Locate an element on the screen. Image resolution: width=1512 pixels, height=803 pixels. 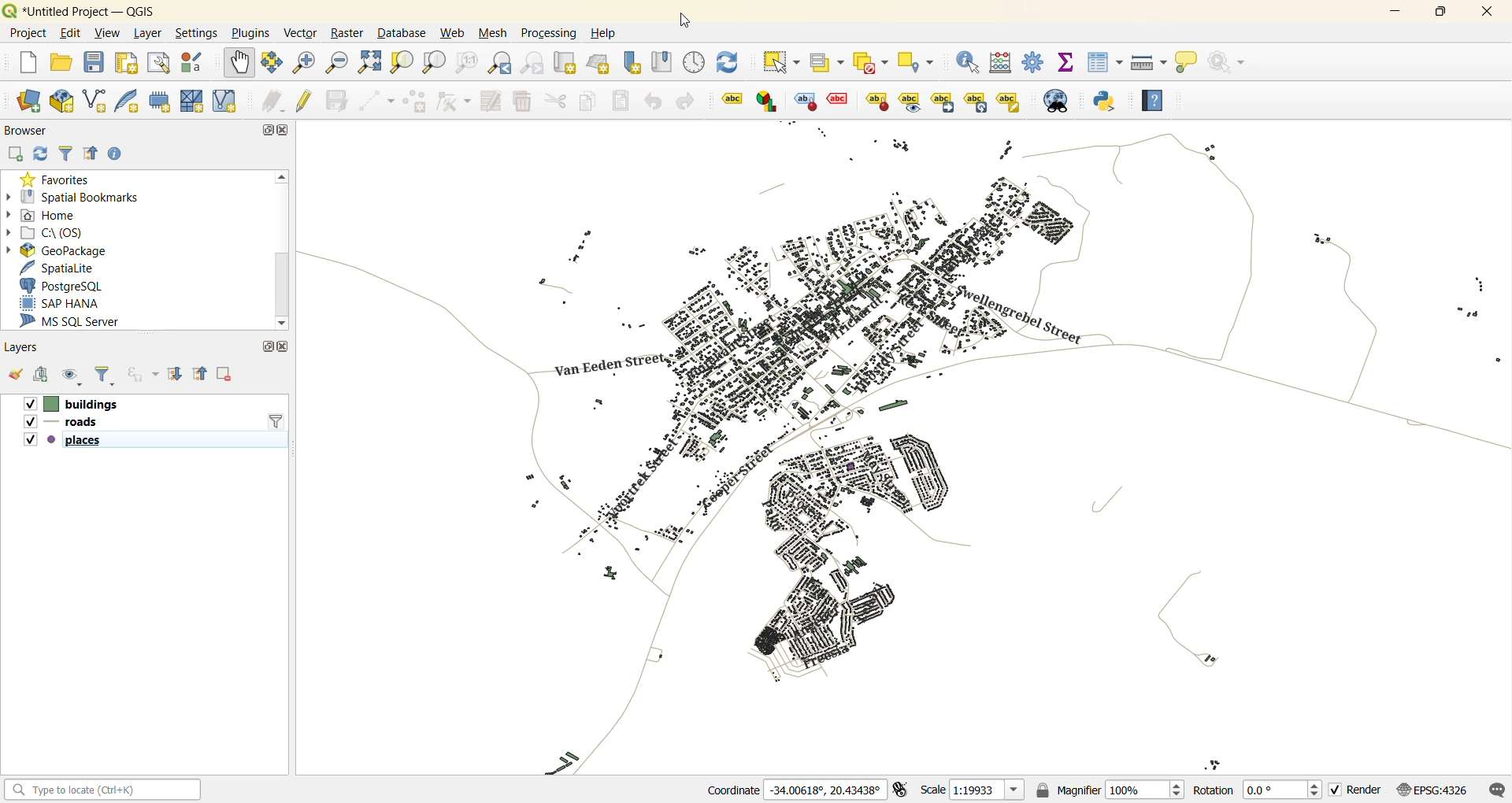
zoom in is located at coordinates (304, 64).